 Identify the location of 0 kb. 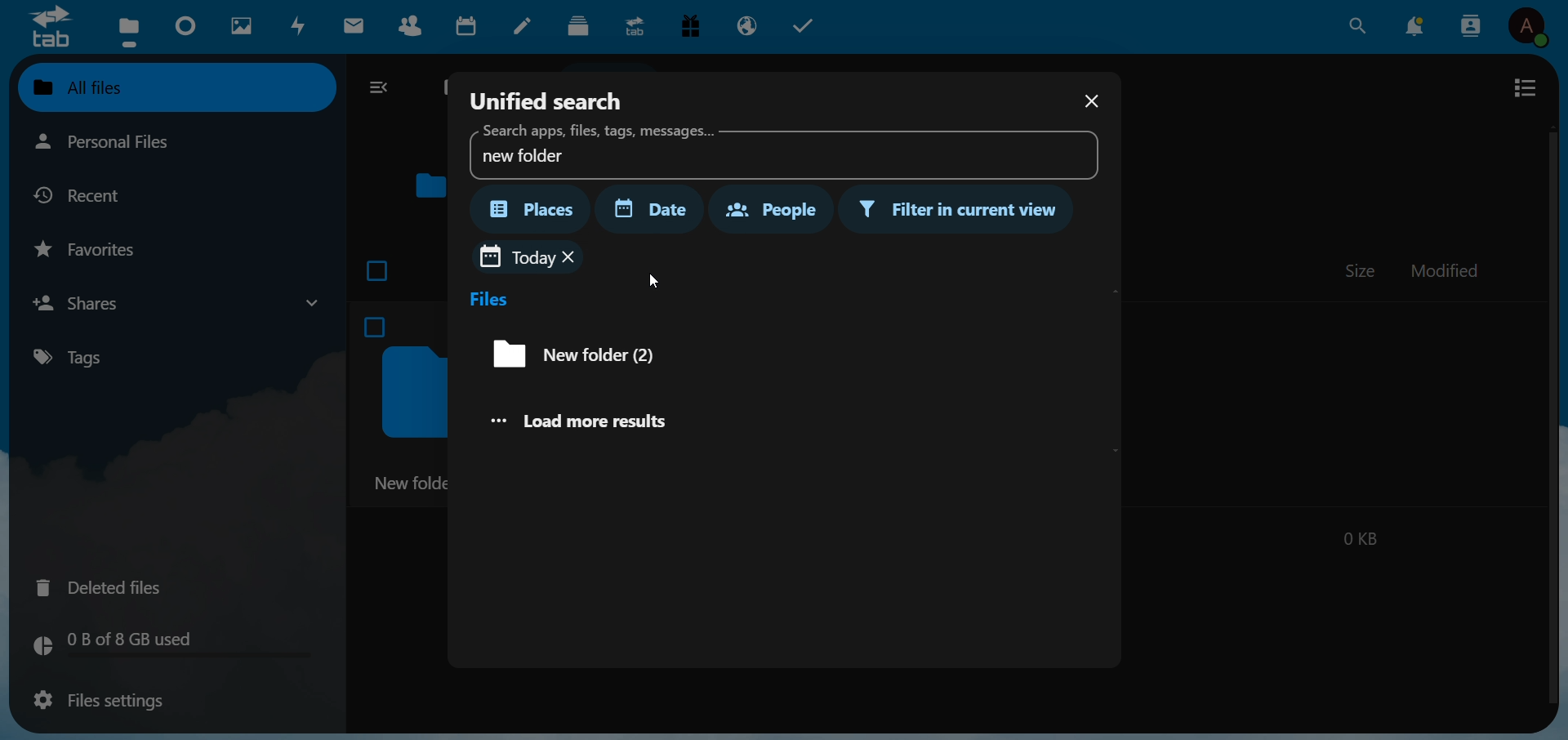
(1359, 536).